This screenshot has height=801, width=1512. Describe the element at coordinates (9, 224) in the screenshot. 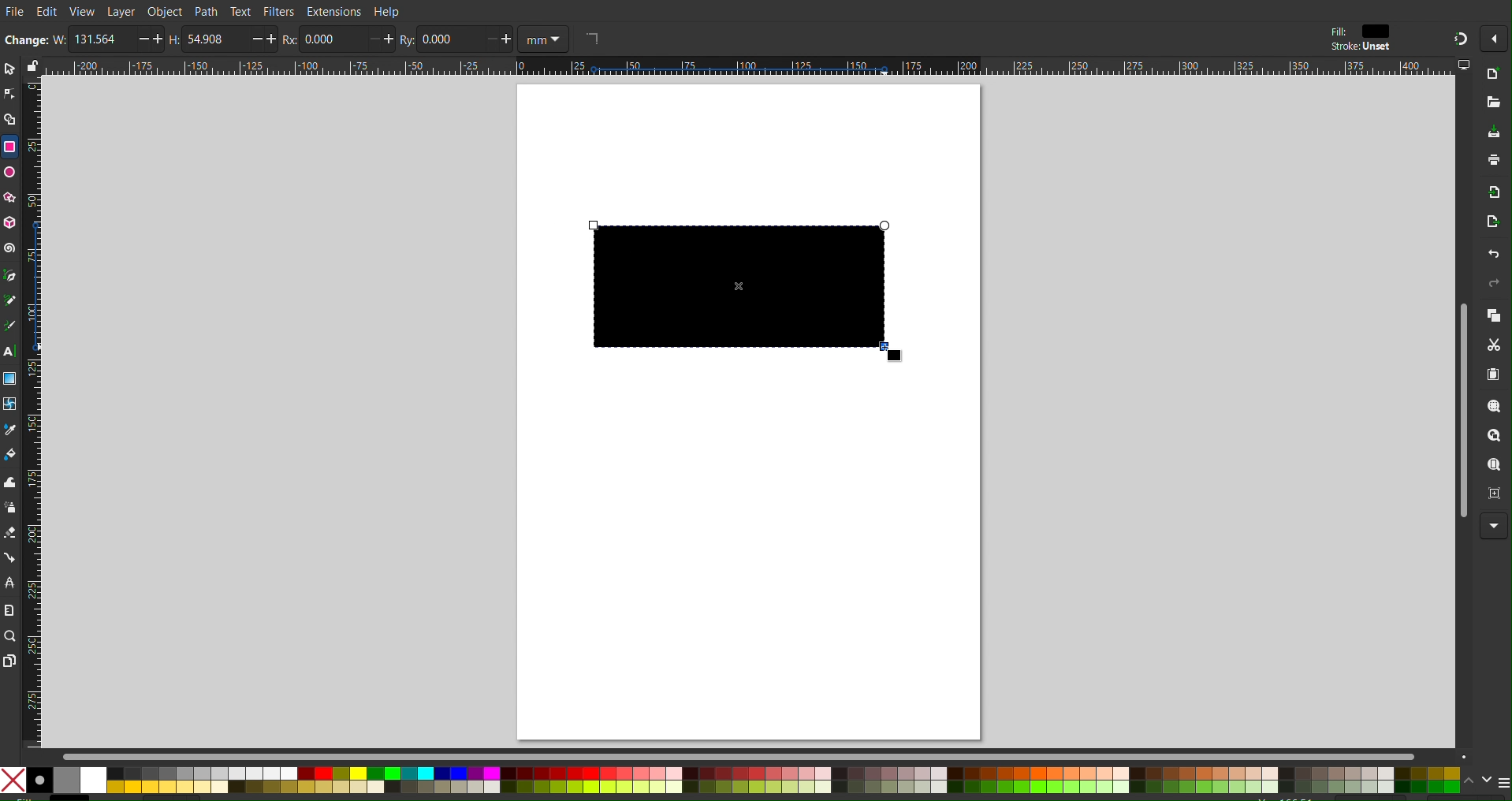

I see `3D Box Tool` at that location.